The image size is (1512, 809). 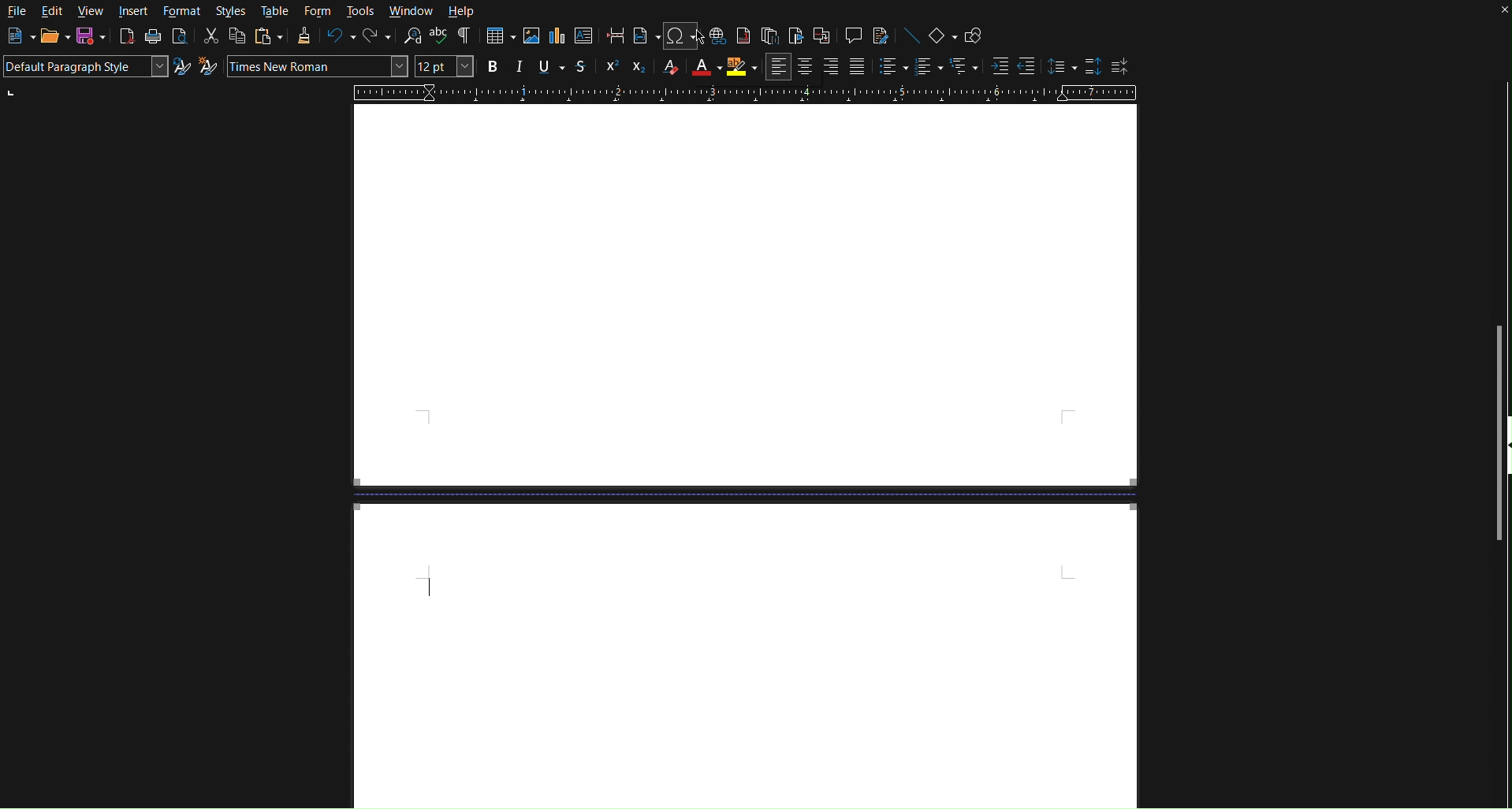 What do you see at coordinates (208, 68) in the screenshot?
I see `New Style` at bounding box center [208, 68].